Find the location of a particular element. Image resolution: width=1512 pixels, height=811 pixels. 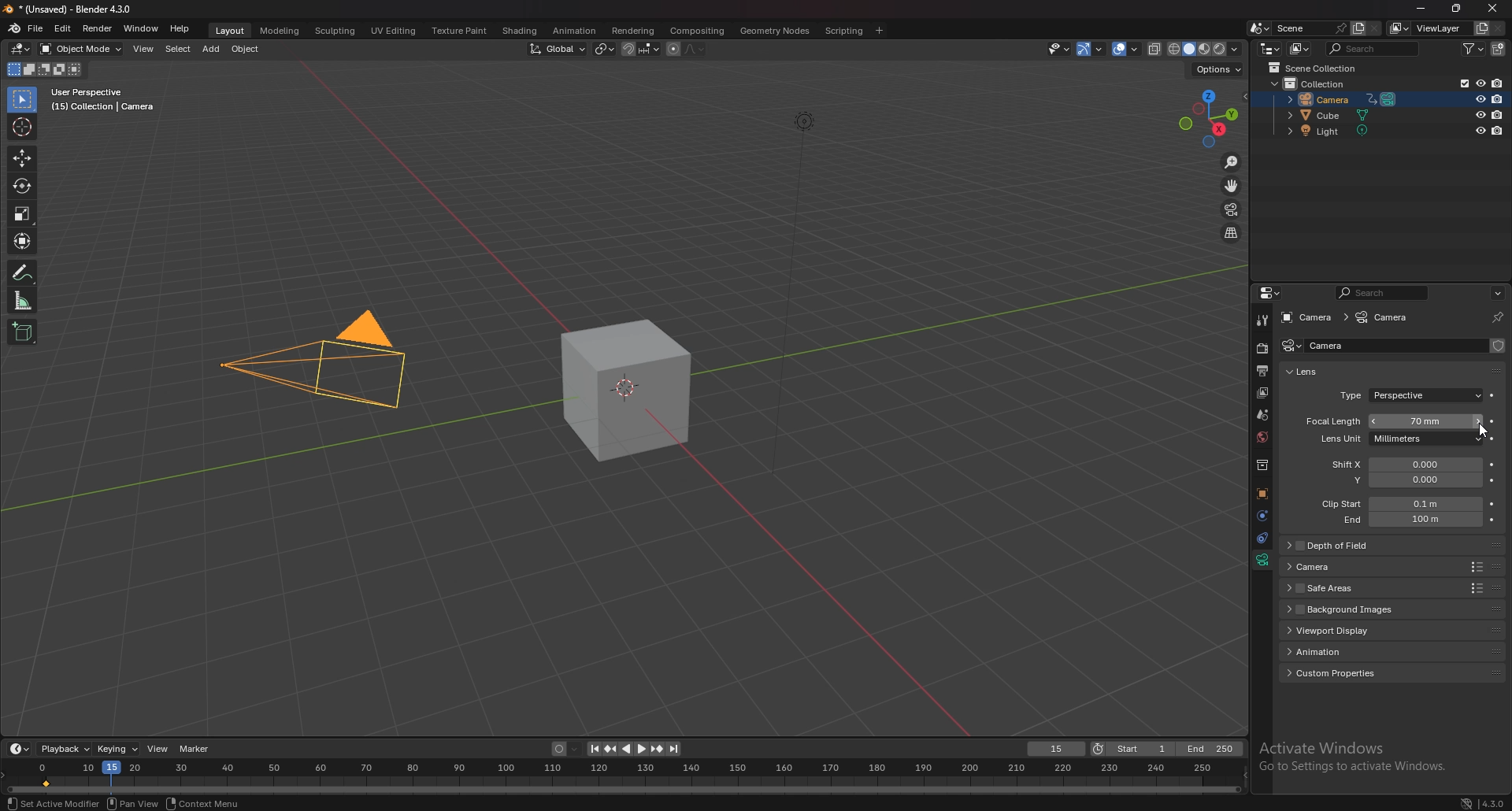

current frame is located at coordinates (1056, 750).